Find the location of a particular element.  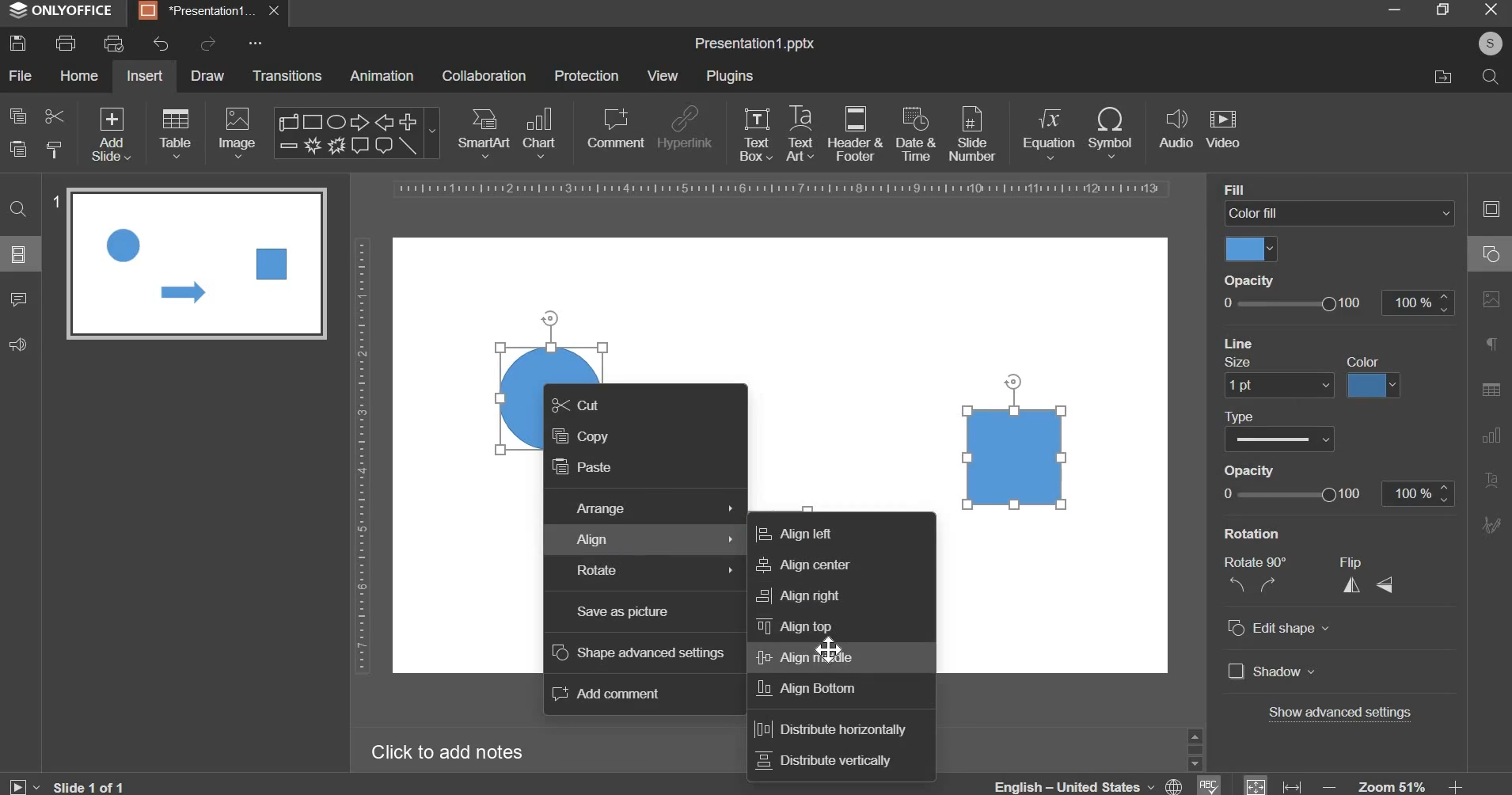

slide show is located at coordinates (24, 784).